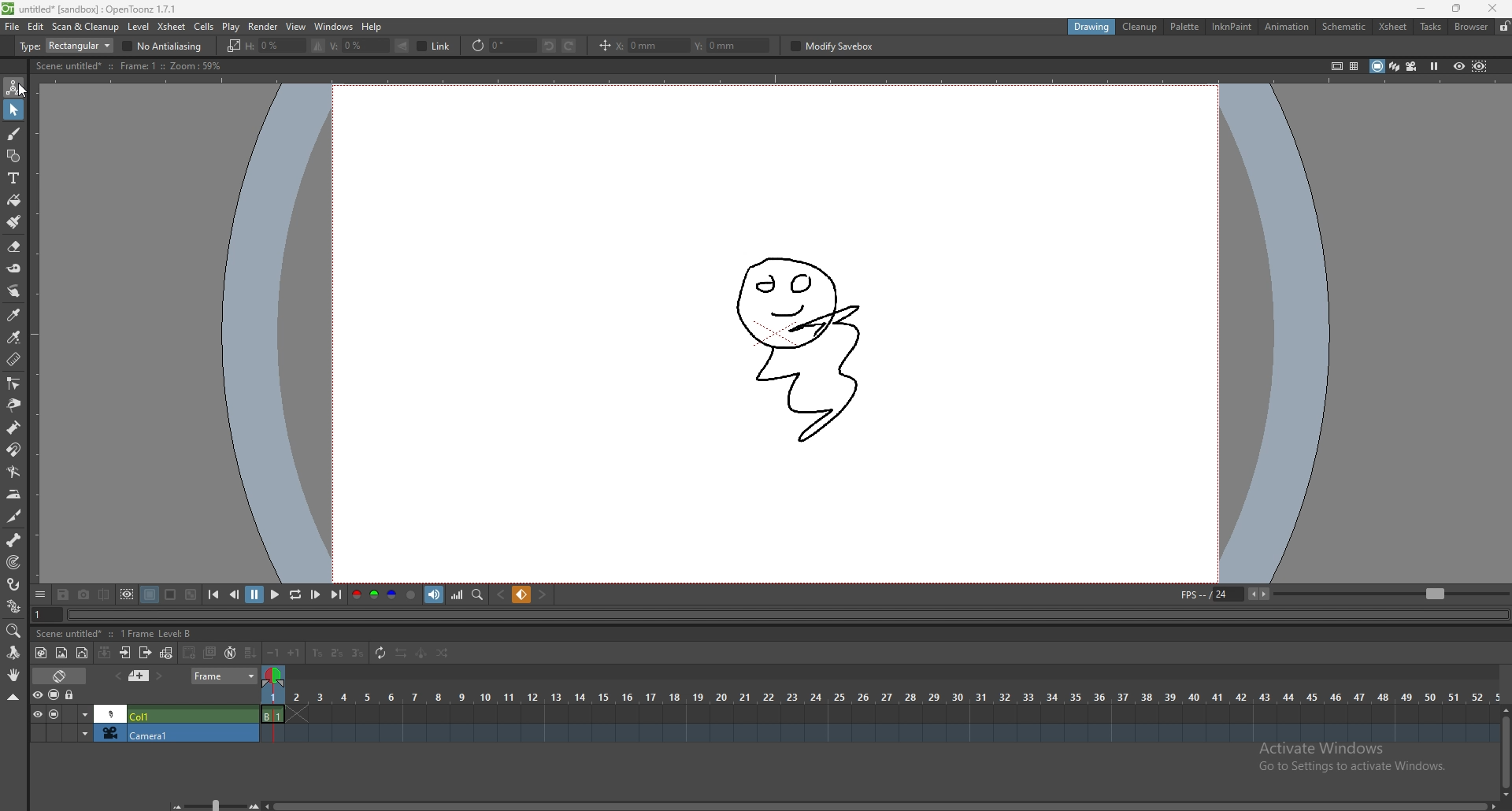  I want to click on level, so click(138, 27).